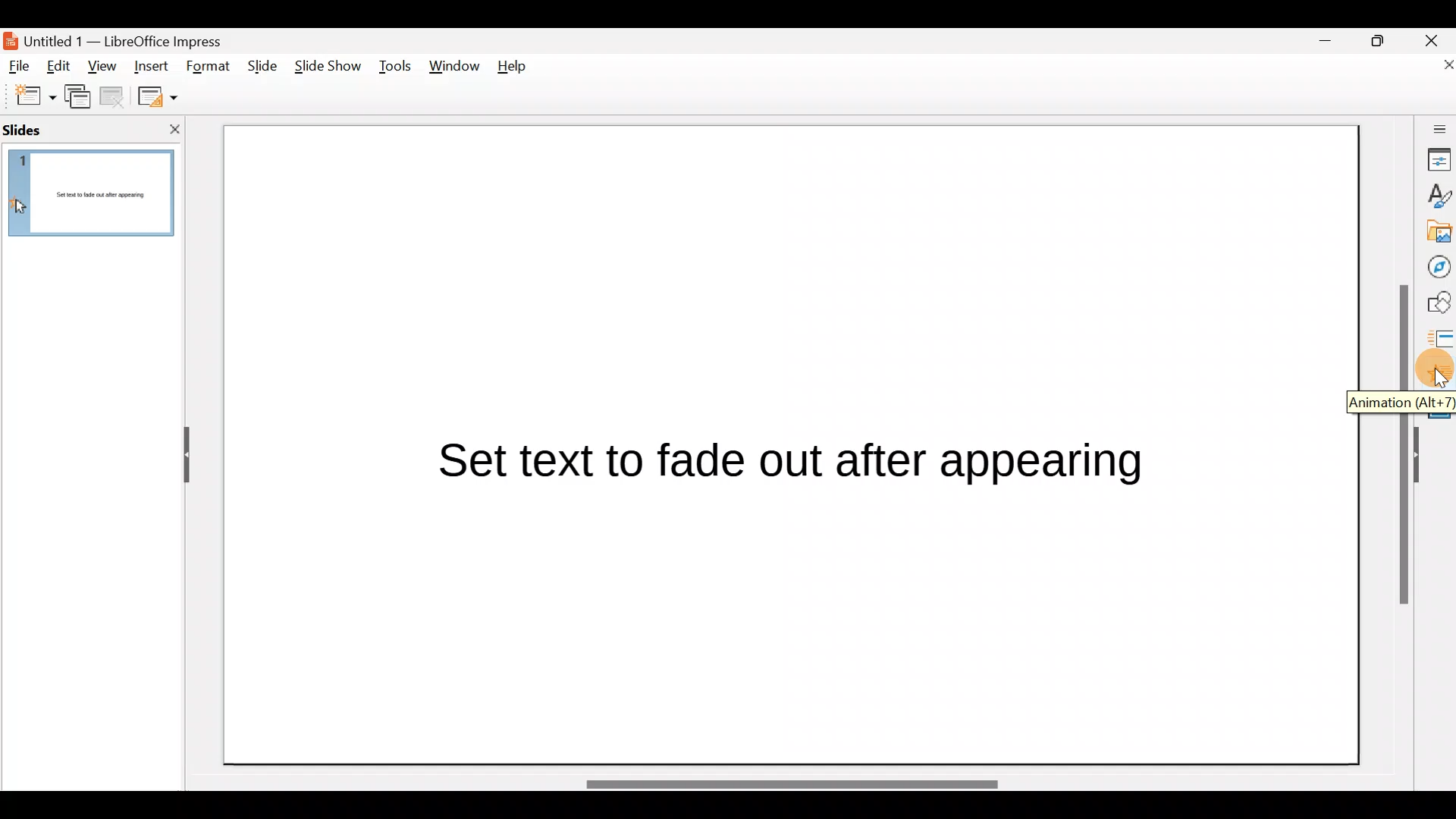 The width and height of the screenshot is (1456, 819). Describe the element at coordinates (810, 774) in the screenshot. I see `Scroll bar` at that location.